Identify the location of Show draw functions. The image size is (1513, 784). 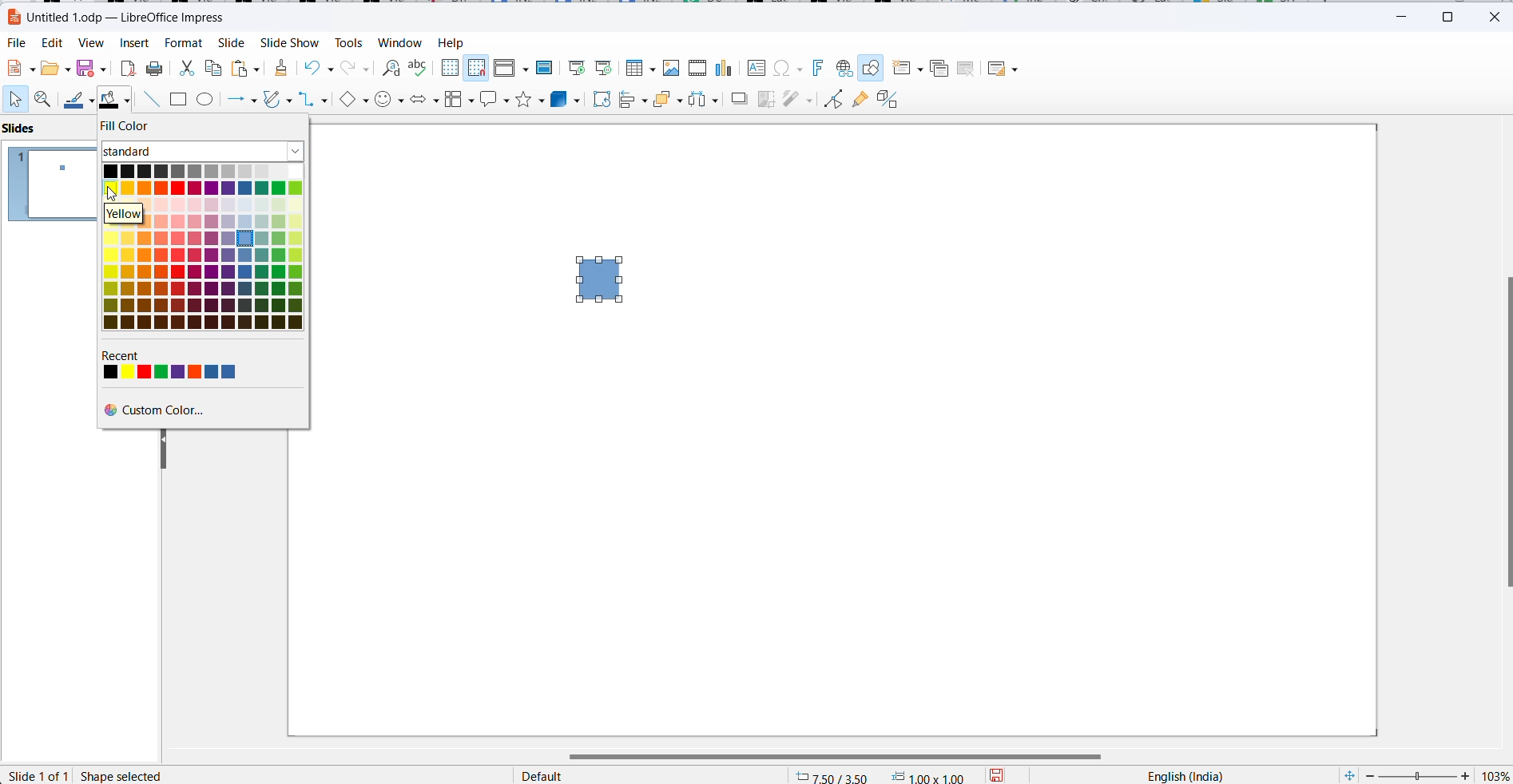
(872, 69).